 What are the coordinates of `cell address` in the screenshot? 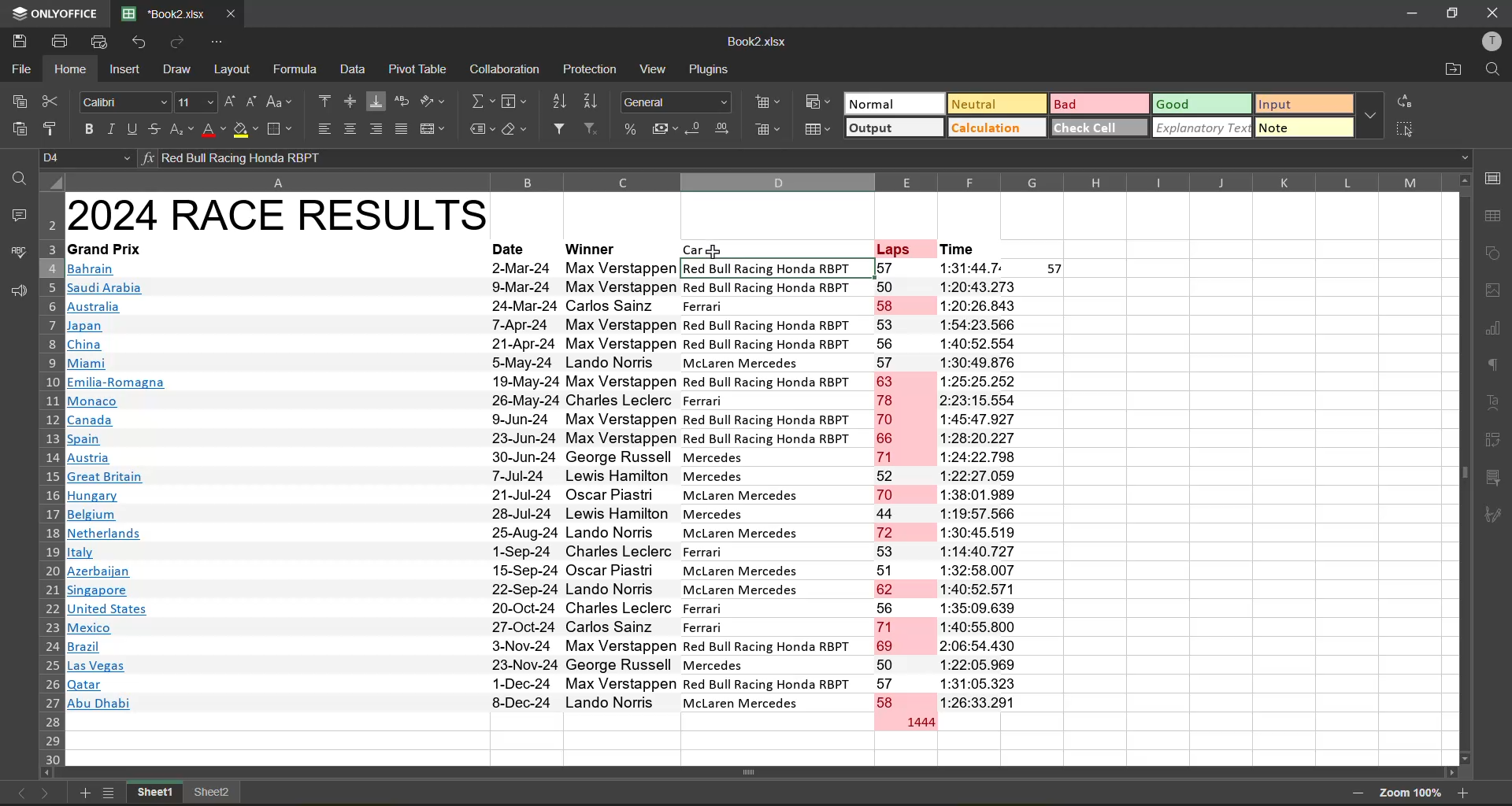 It's located at (88, 157).